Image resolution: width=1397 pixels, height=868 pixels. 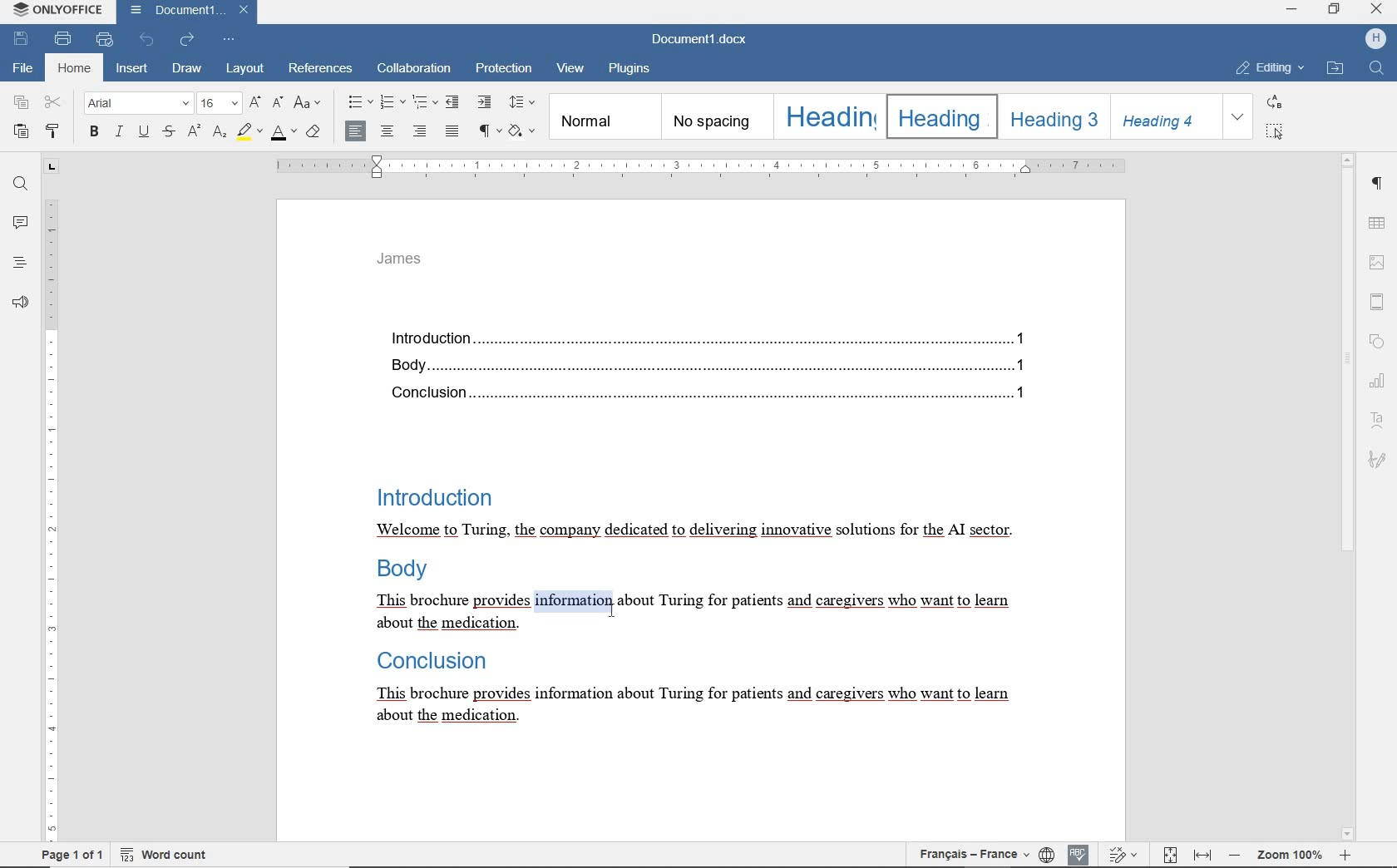 I want to click on This brochure provides information about Turing for patients and caregivers who want to learn
about the medication., so click(x=689, y=706).